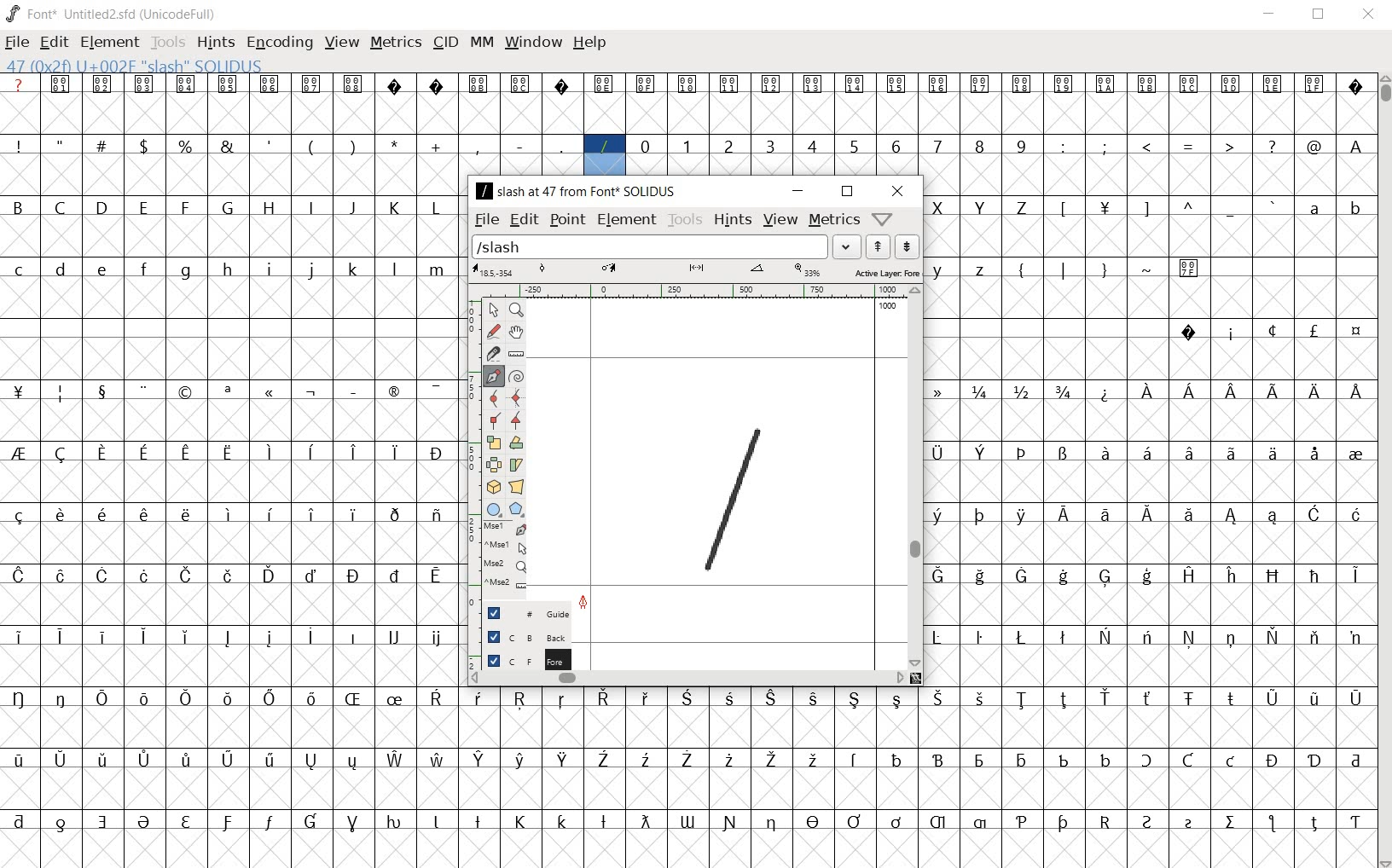 The width and height of the screenshot is (1392, 868). Describe the element at coordinates (1148, 542) in the screenshot. I see `empty cells` at that location.